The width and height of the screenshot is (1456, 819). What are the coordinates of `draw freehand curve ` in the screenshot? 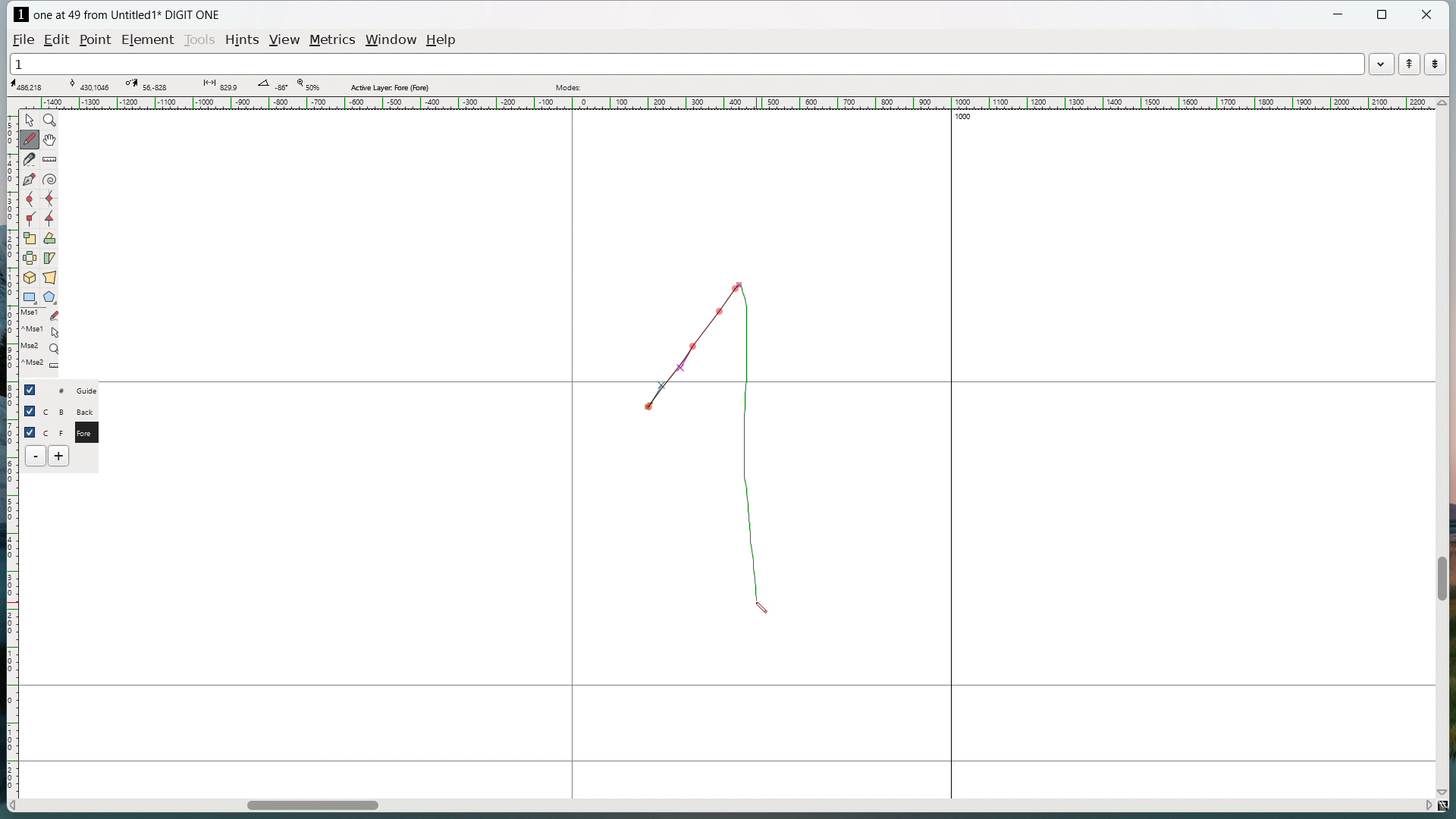 It's located at (31, 139).